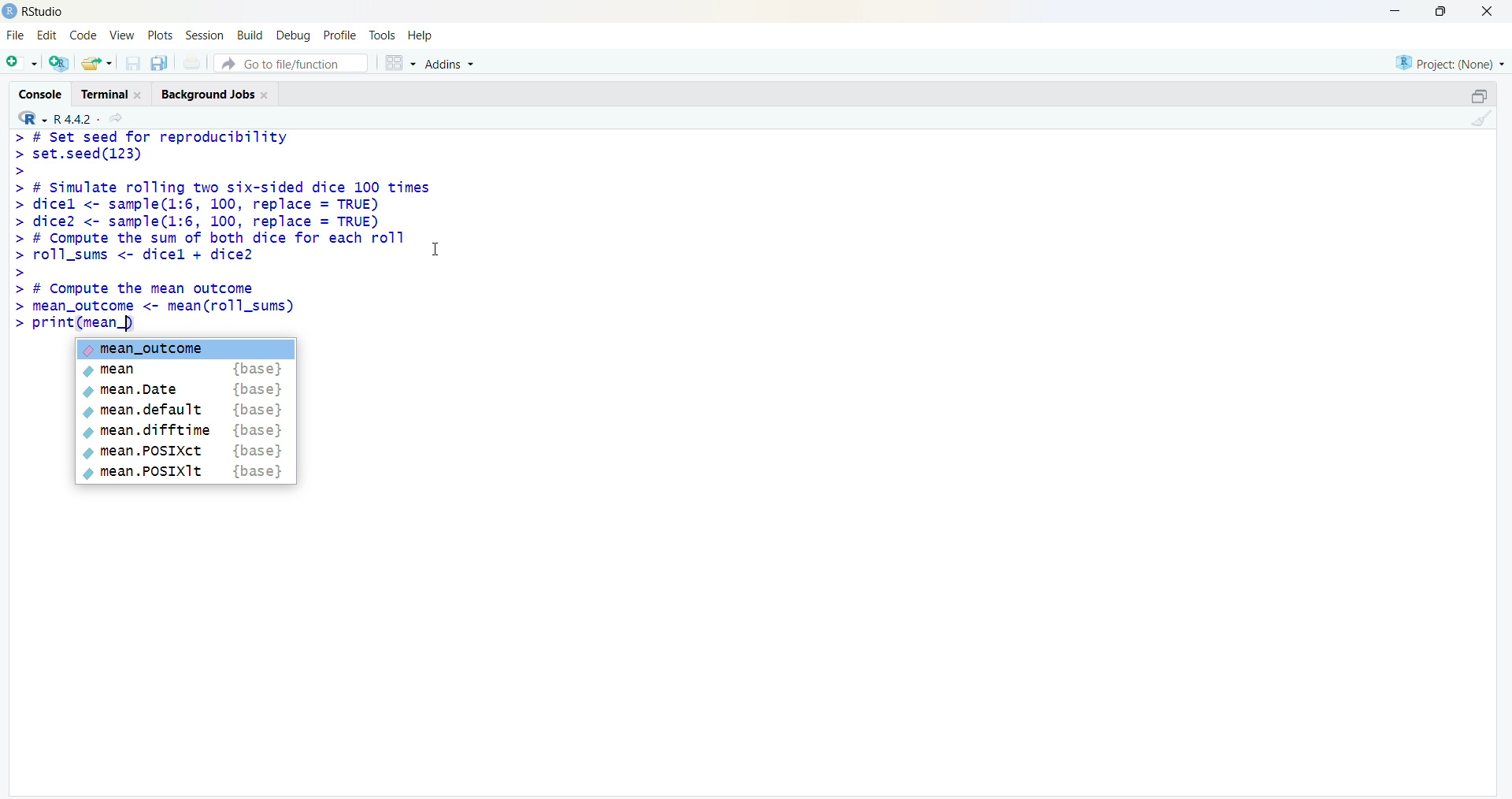  Describe the element at coordinates (422, 36) in the screenshot. I see `help` at that location.